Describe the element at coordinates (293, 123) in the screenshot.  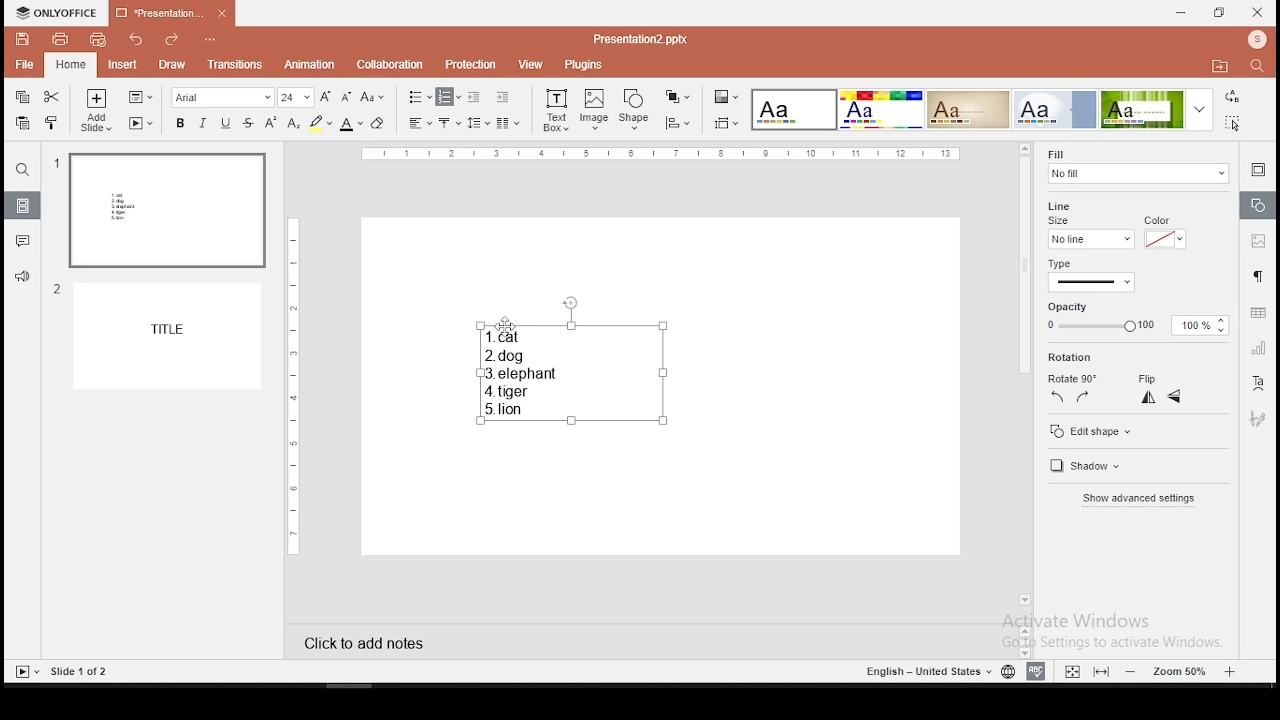
I see `subscript` at that location.